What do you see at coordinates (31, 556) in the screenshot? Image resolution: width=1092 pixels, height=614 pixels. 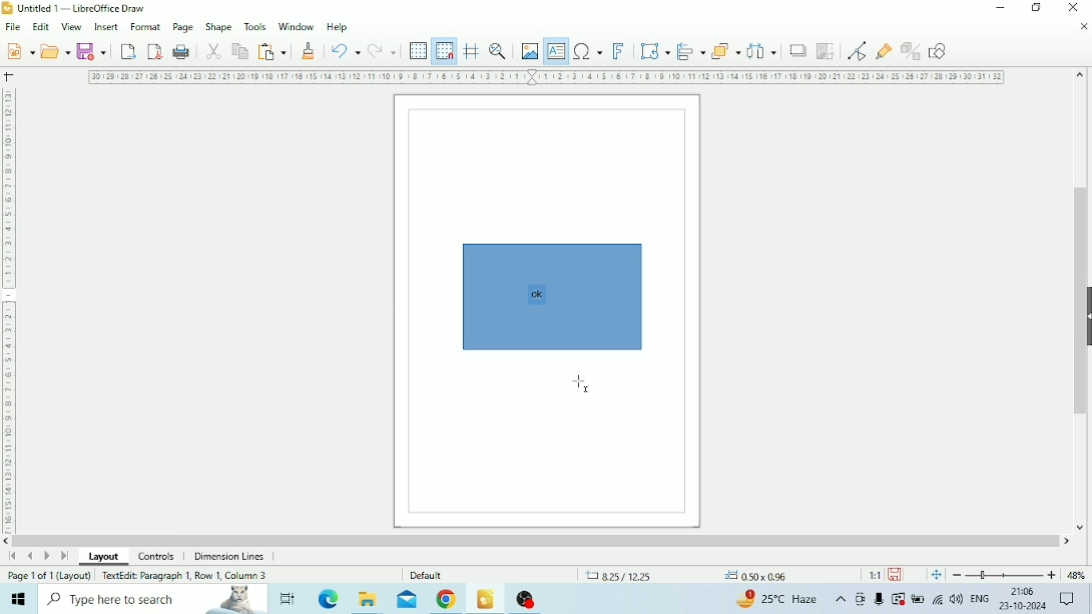 I see `Scroll to previous page` at bounding box center [31, 556].